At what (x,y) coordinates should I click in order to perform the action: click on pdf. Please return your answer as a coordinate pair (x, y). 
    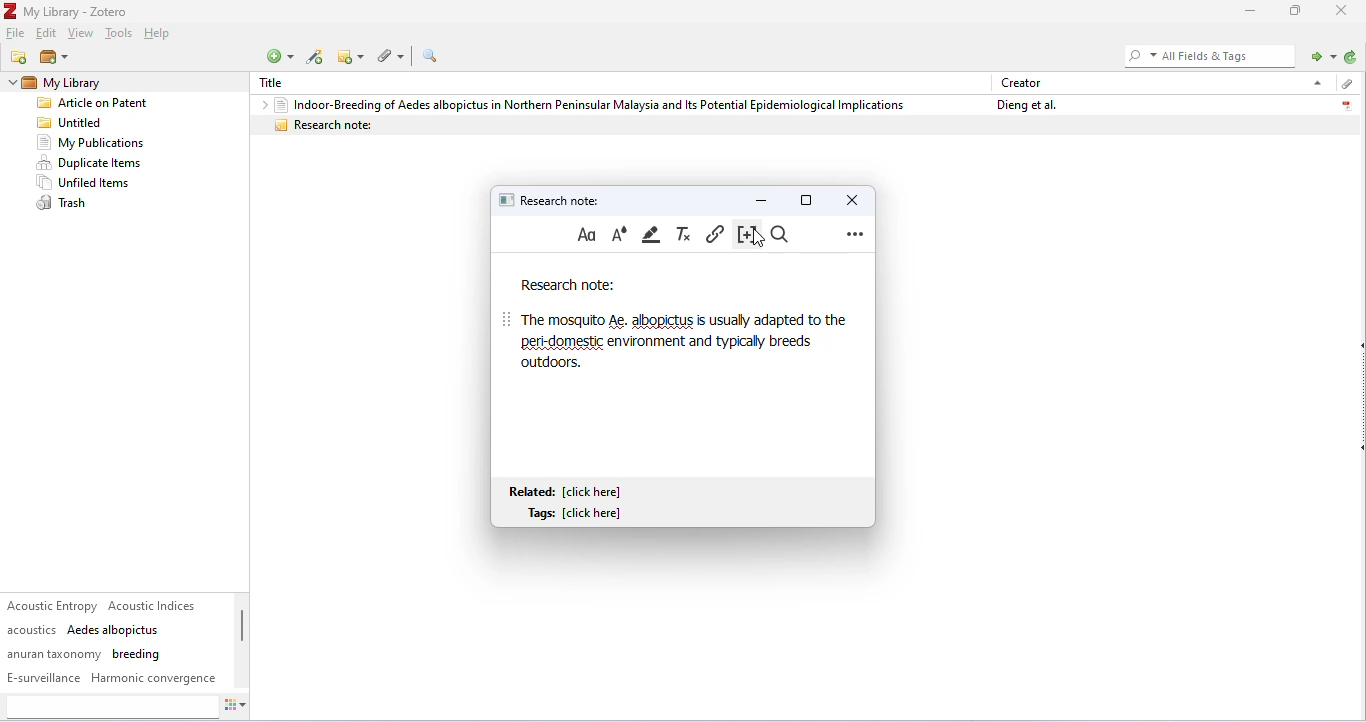
    Looking at the image, I should click on (1346, 103).